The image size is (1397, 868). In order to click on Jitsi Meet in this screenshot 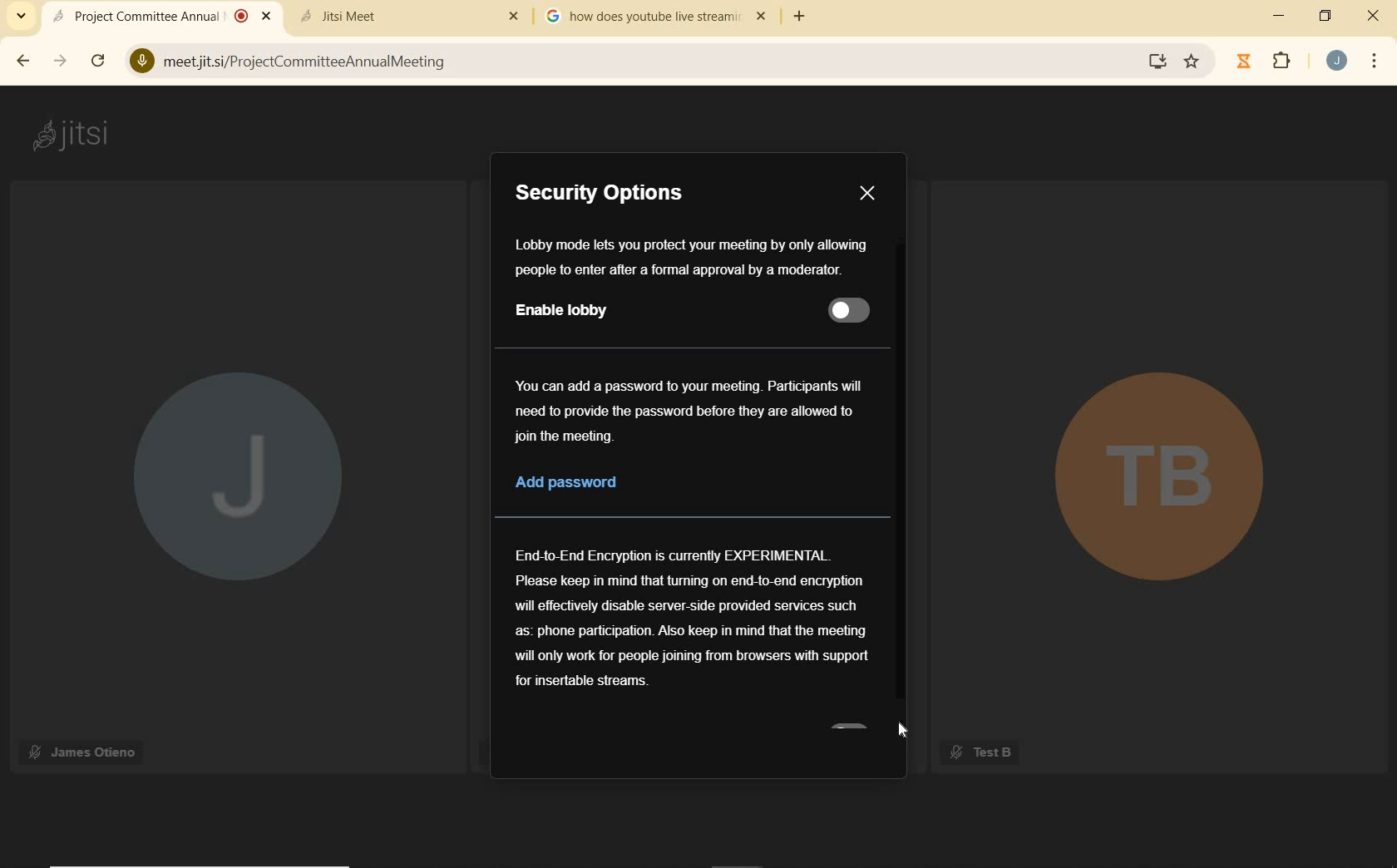, I will do `click(412, 14)`.